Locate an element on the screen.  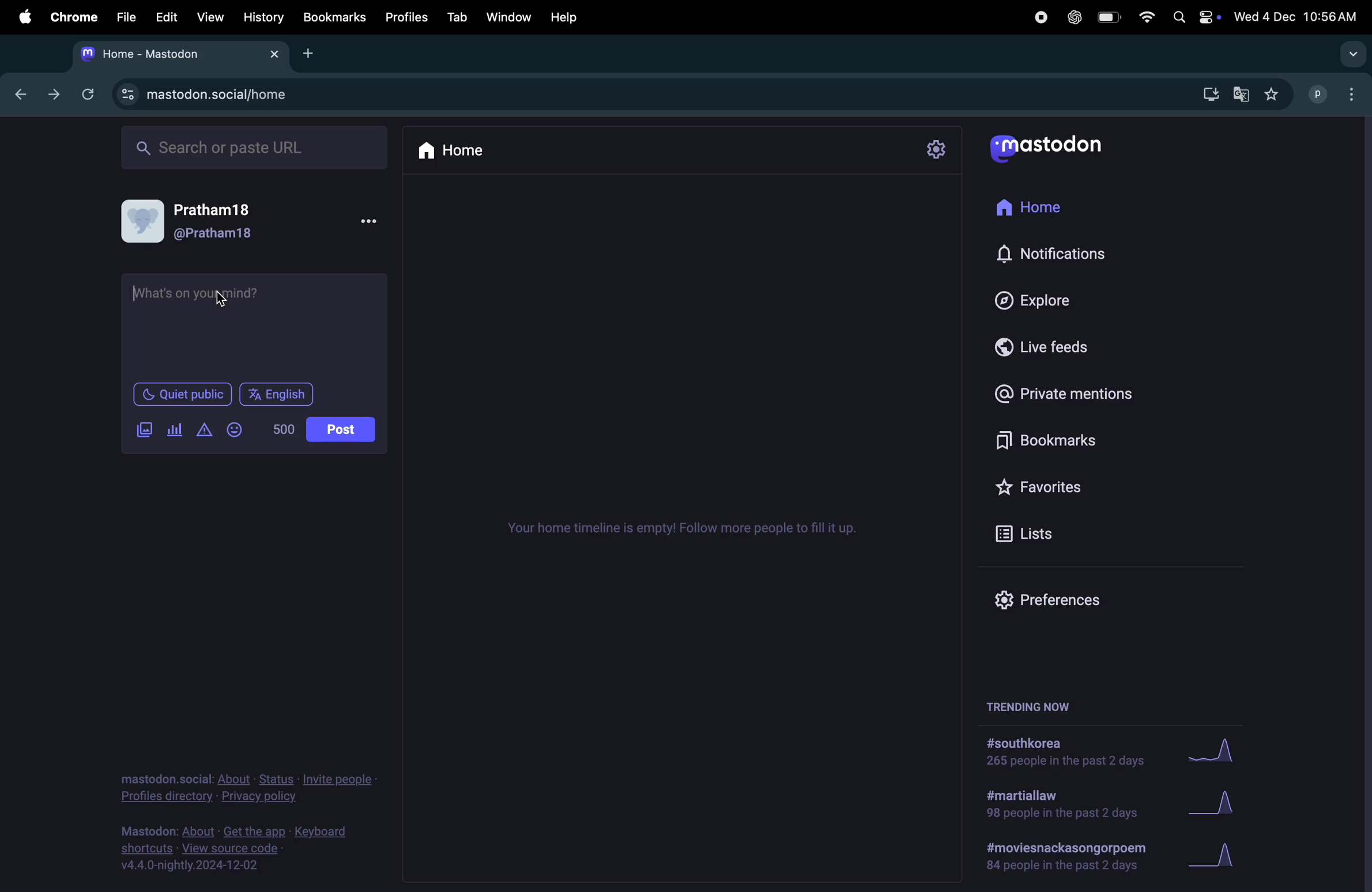
record is located at coordinates (1037, 17).